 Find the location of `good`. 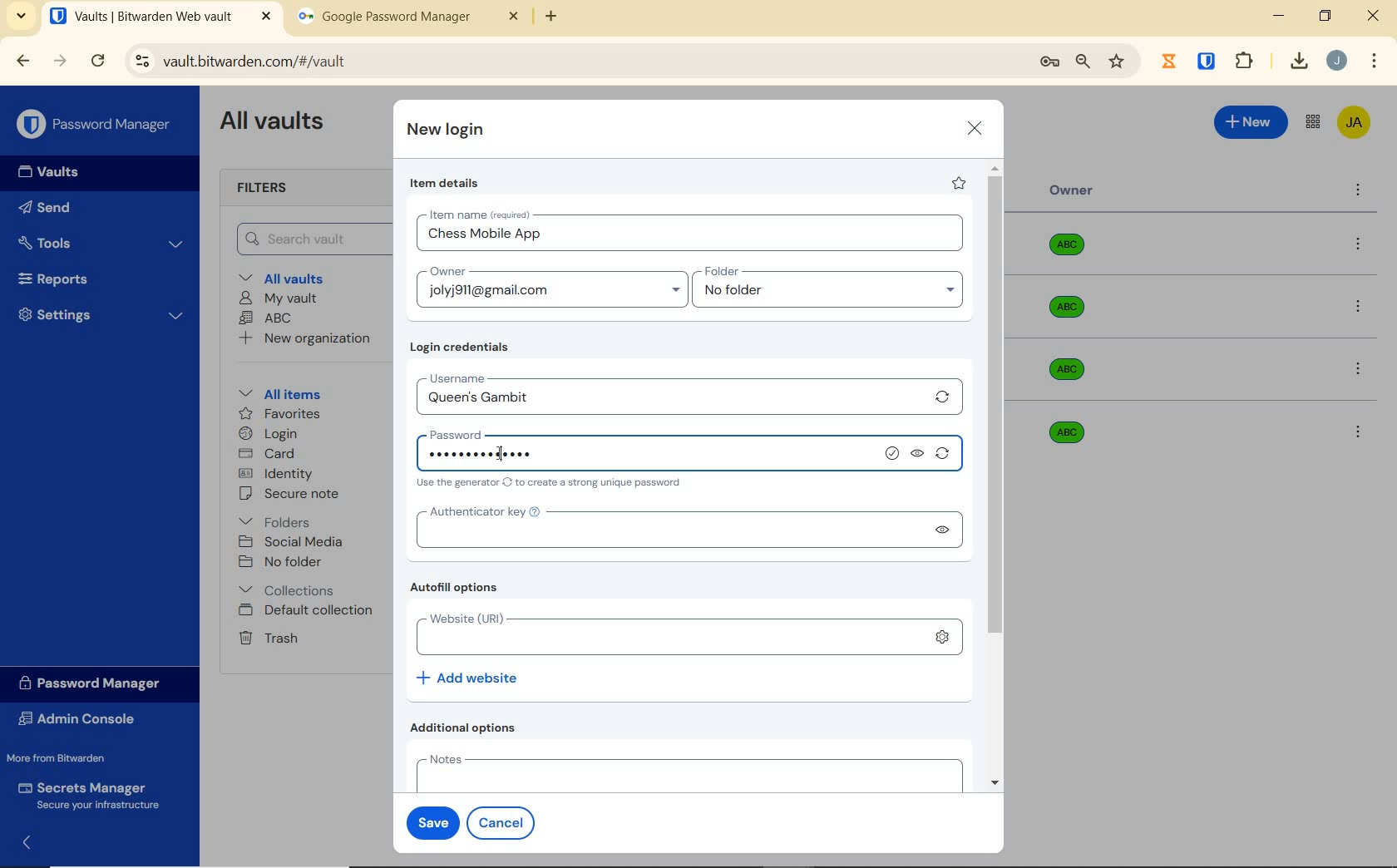

good is located at coordinates (894, 454).